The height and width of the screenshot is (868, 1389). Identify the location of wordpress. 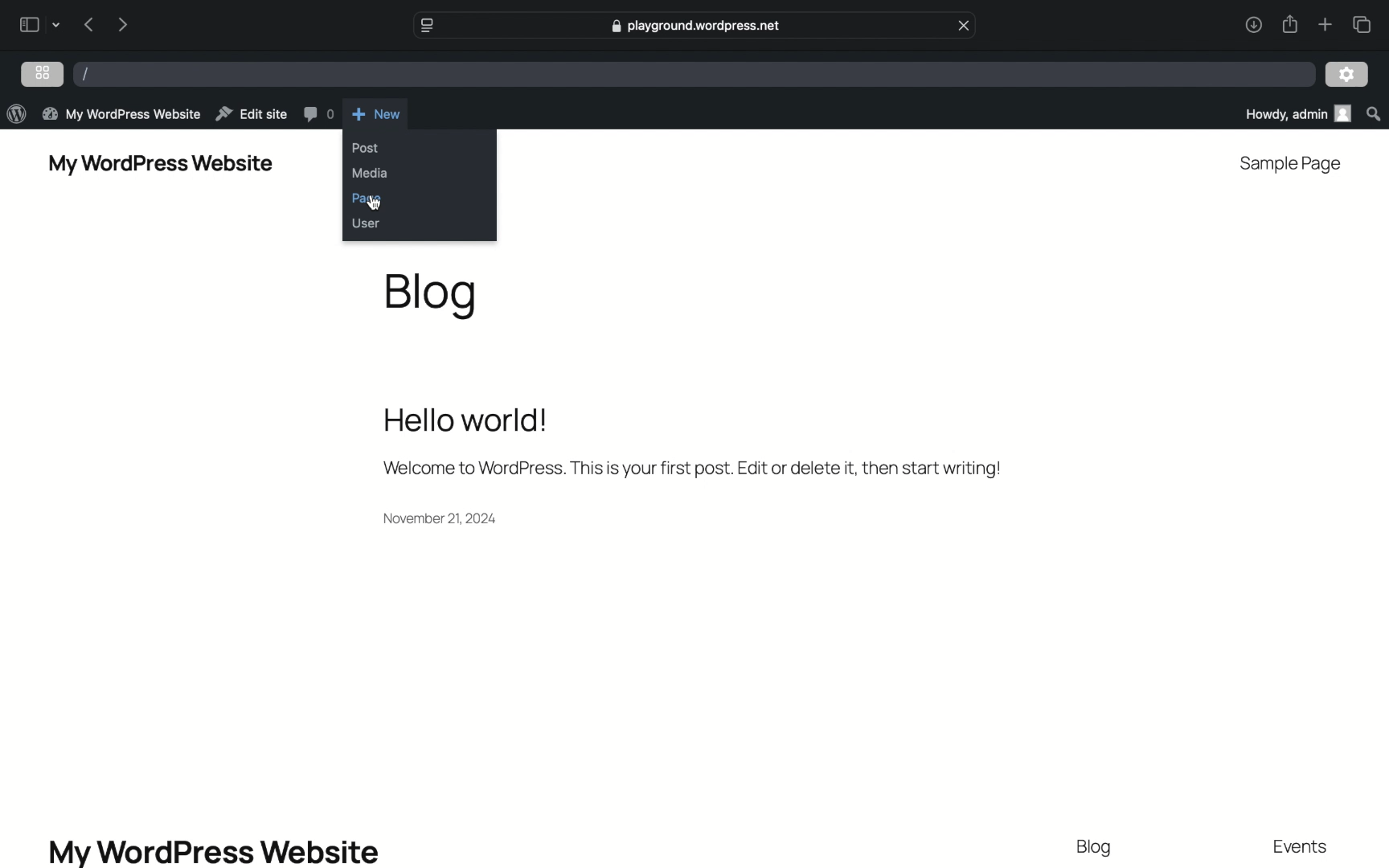
(16, 113).